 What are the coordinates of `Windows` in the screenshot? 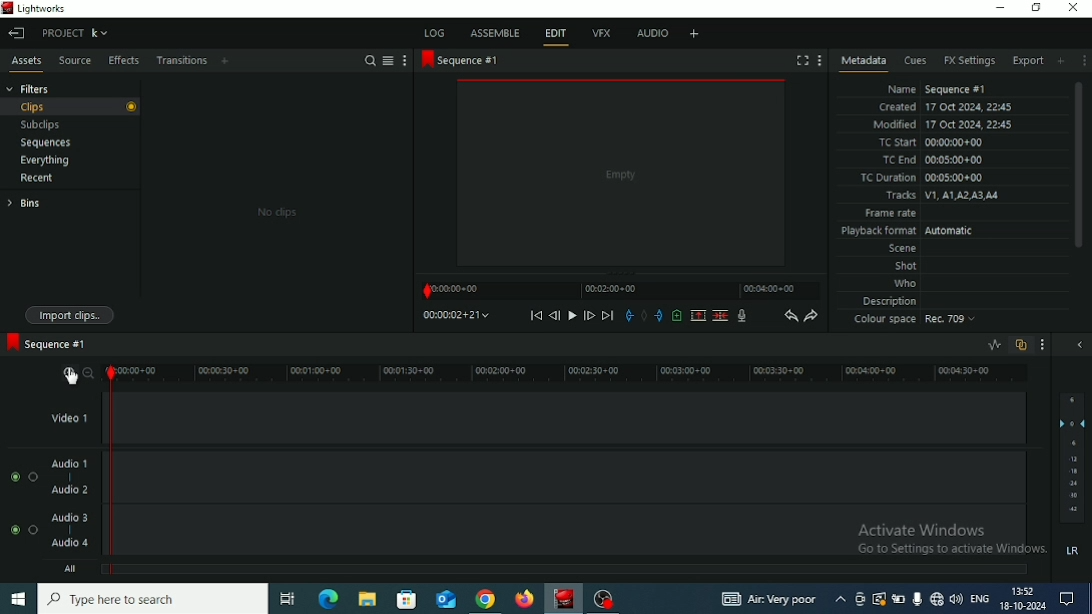 It's located at (17, 600).